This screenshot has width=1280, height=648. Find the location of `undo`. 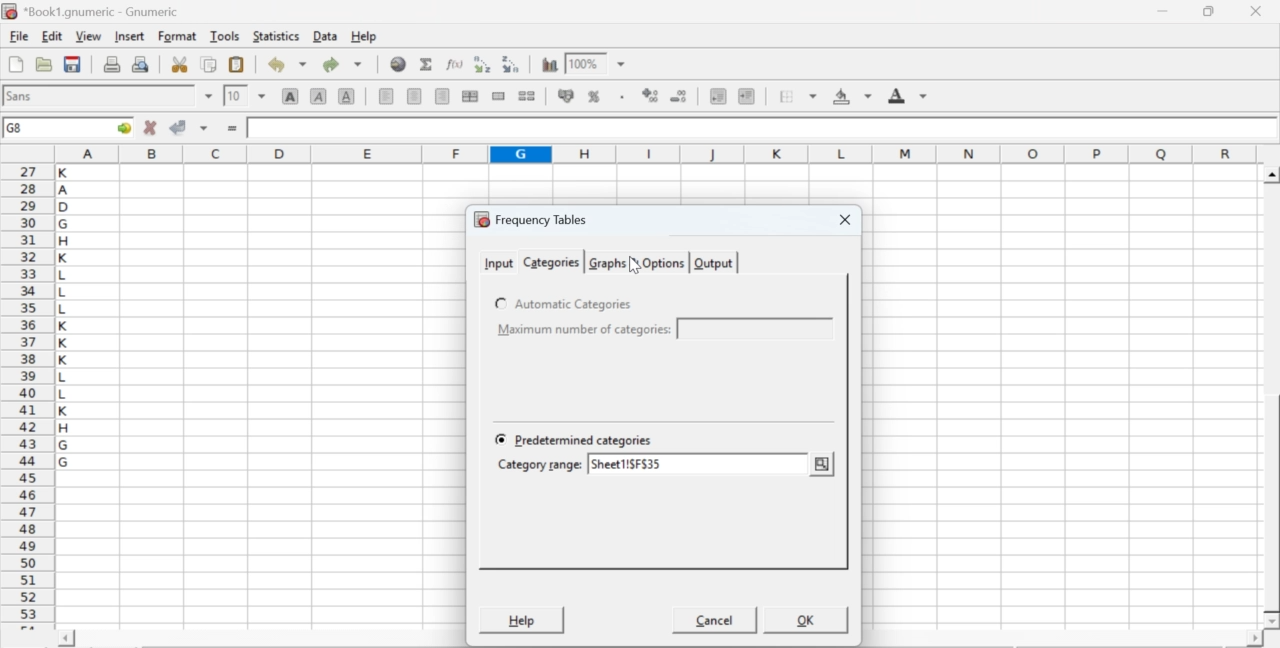

undo is located at coordinates (286, 65).